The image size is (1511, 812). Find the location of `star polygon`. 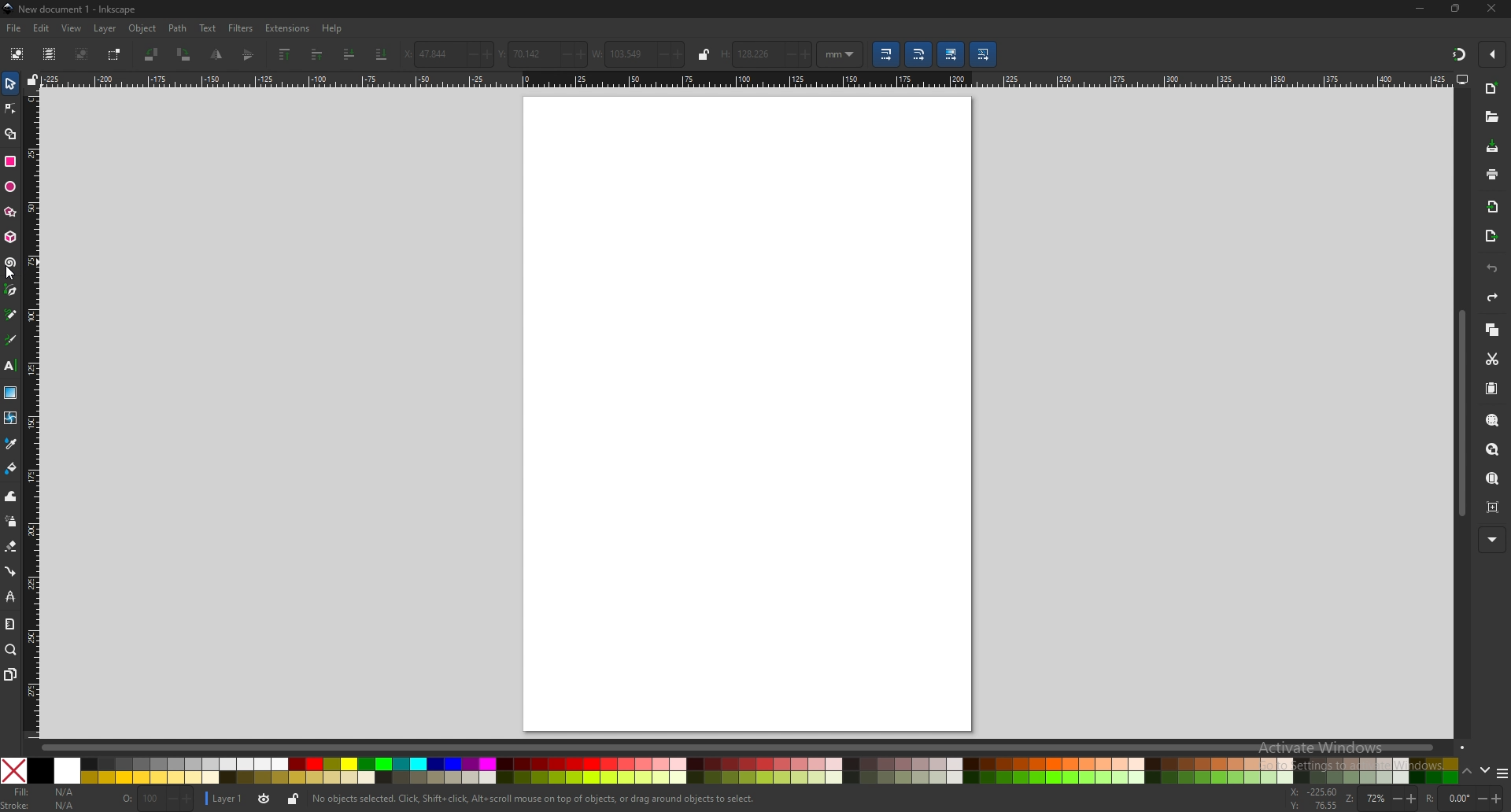

star polygon is located at coordinates (10, 212).